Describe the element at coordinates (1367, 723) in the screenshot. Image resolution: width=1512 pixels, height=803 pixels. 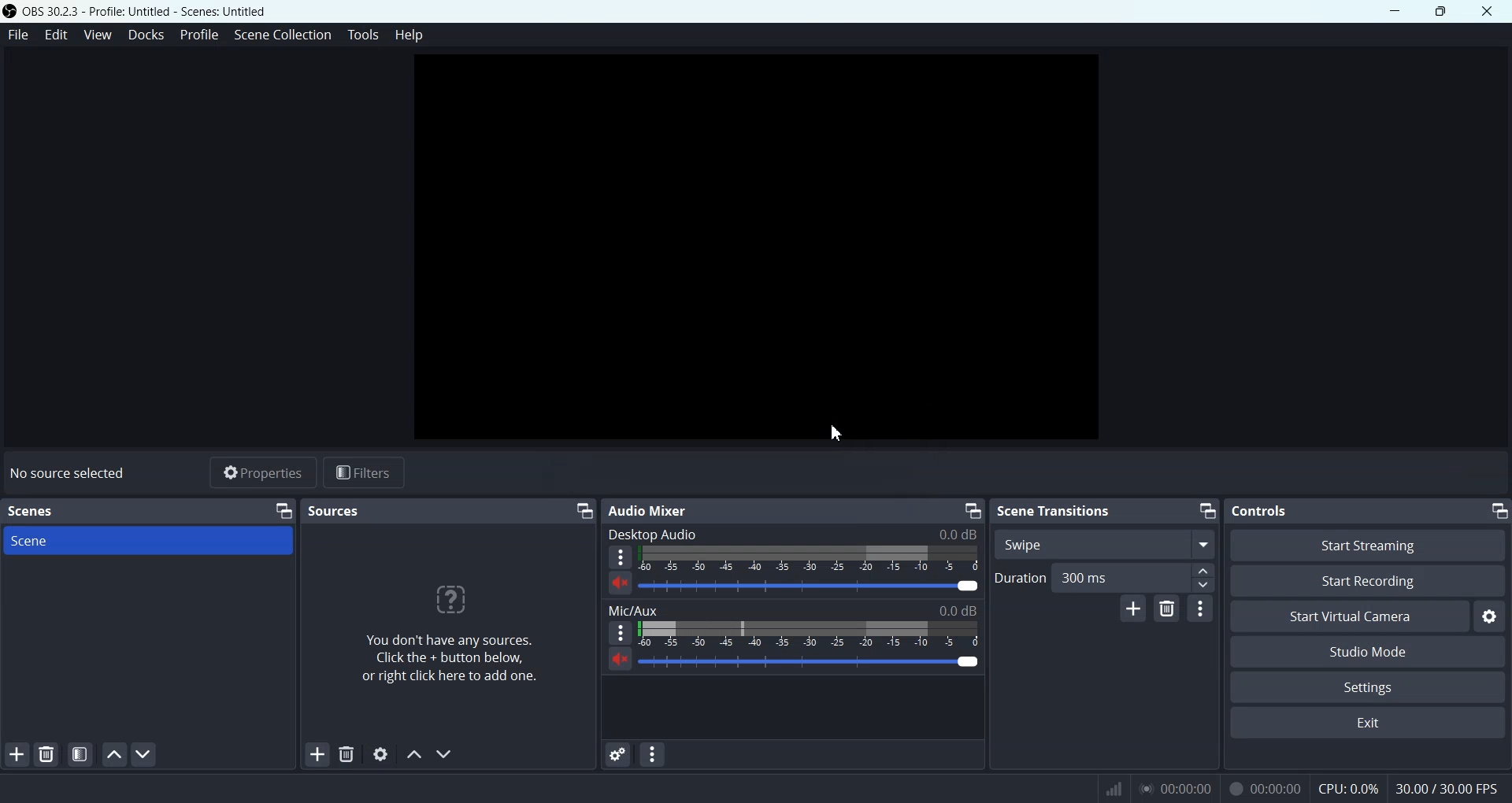
I see `Exit` at that location.